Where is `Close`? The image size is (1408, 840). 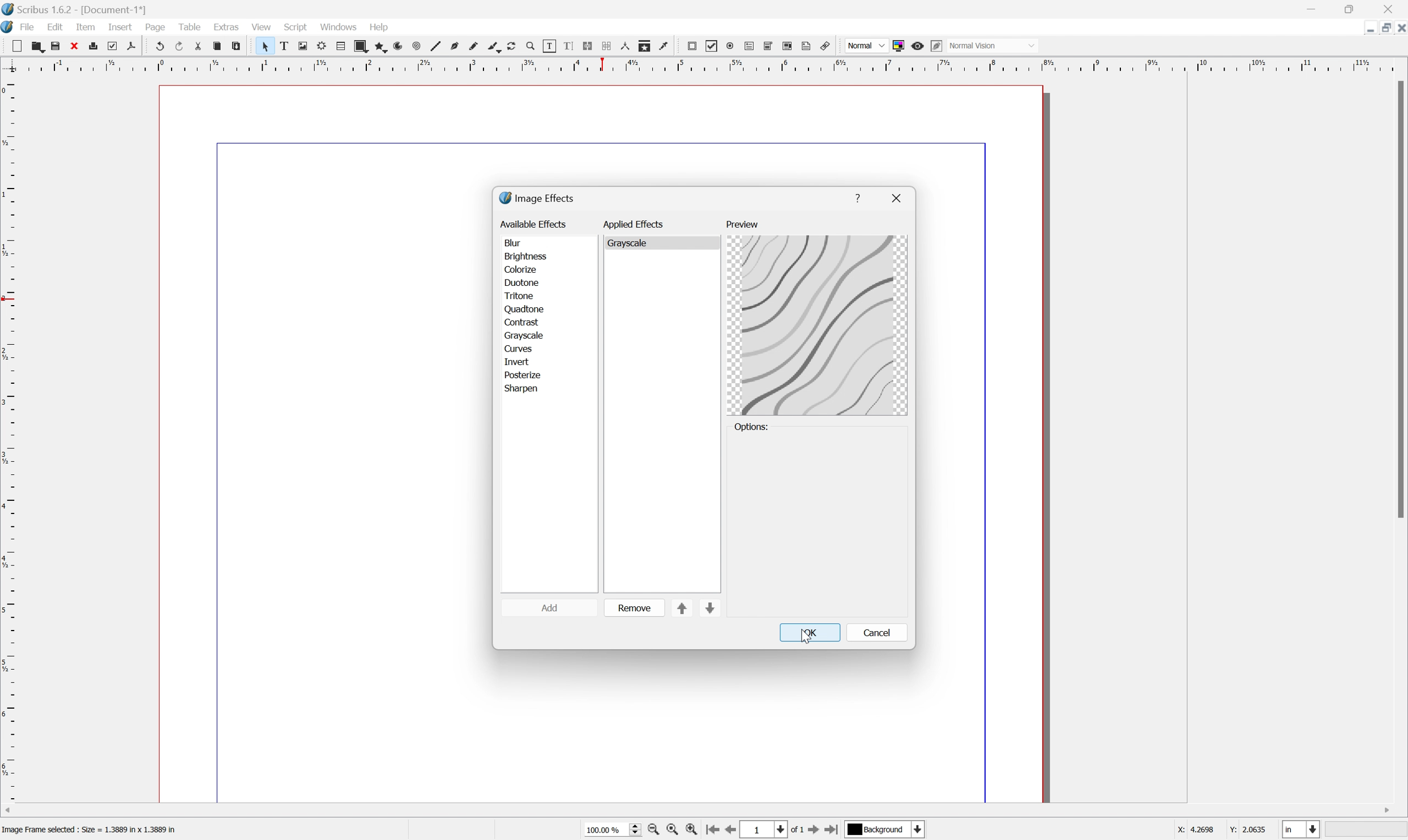 Close is located at coordinates (76, 46).